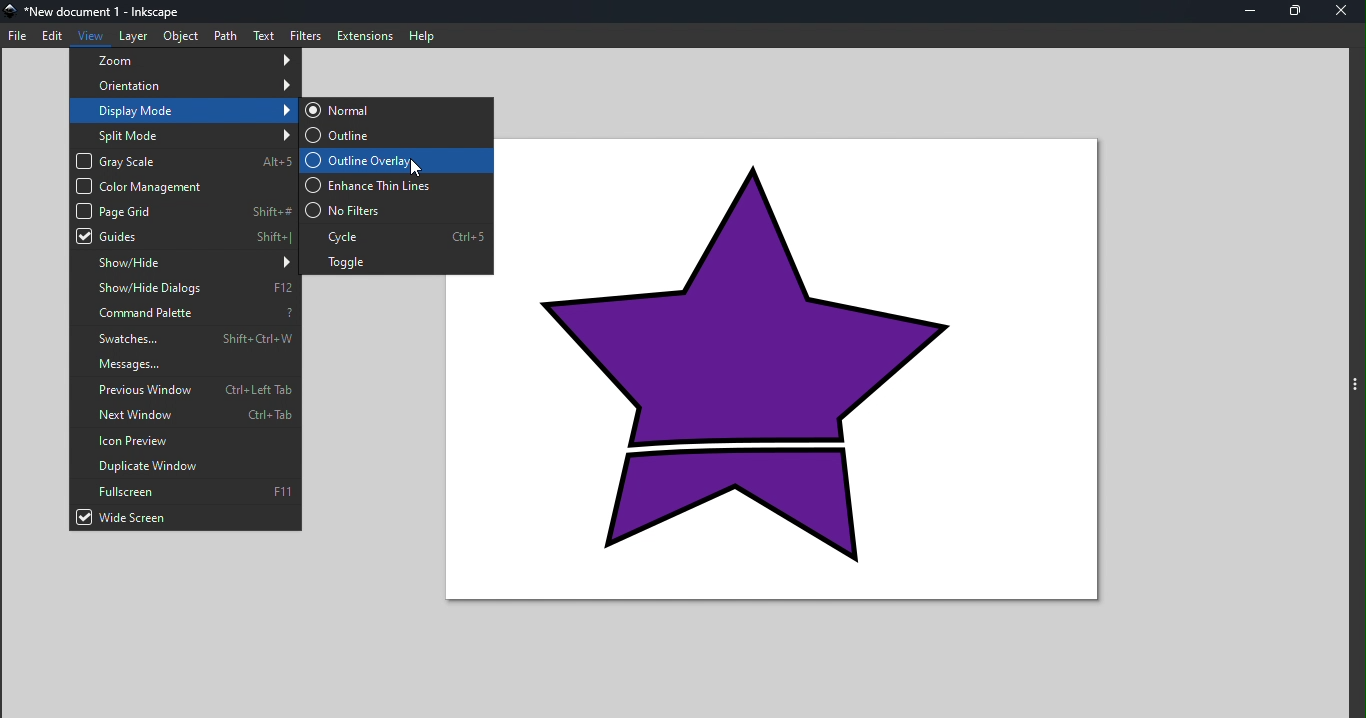  I want to click on Split mode, so click(186, 133).